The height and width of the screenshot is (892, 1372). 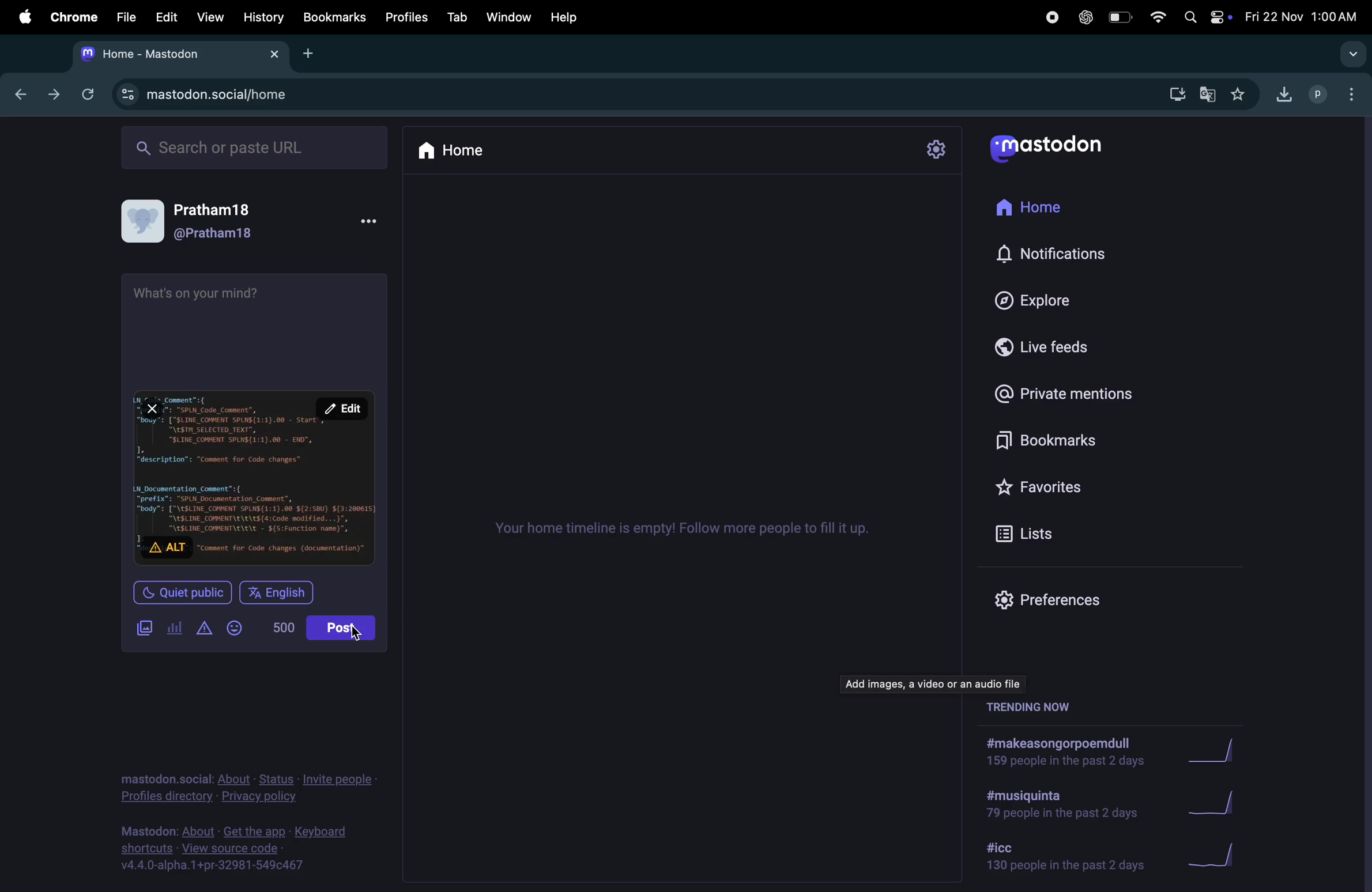 I want to click on whats in ypour mind, so click(x=198, y=294).